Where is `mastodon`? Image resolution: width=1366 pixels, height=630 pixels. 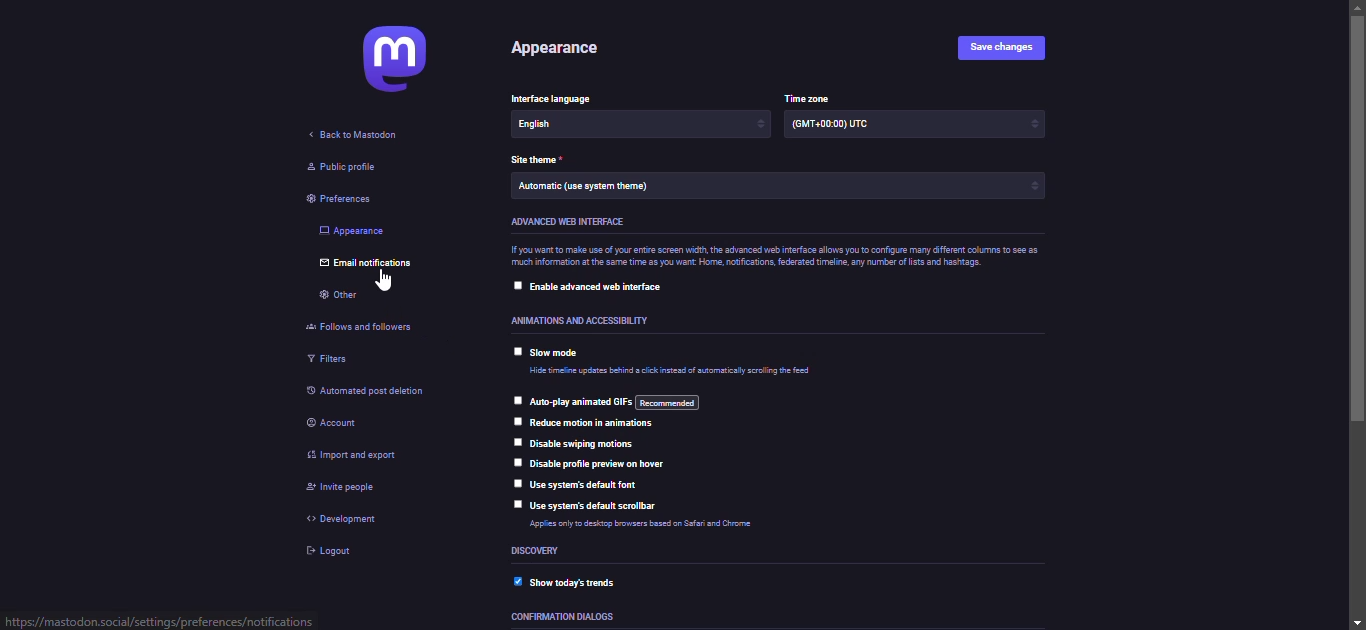 mastodon is located at coordinates (384, 65).